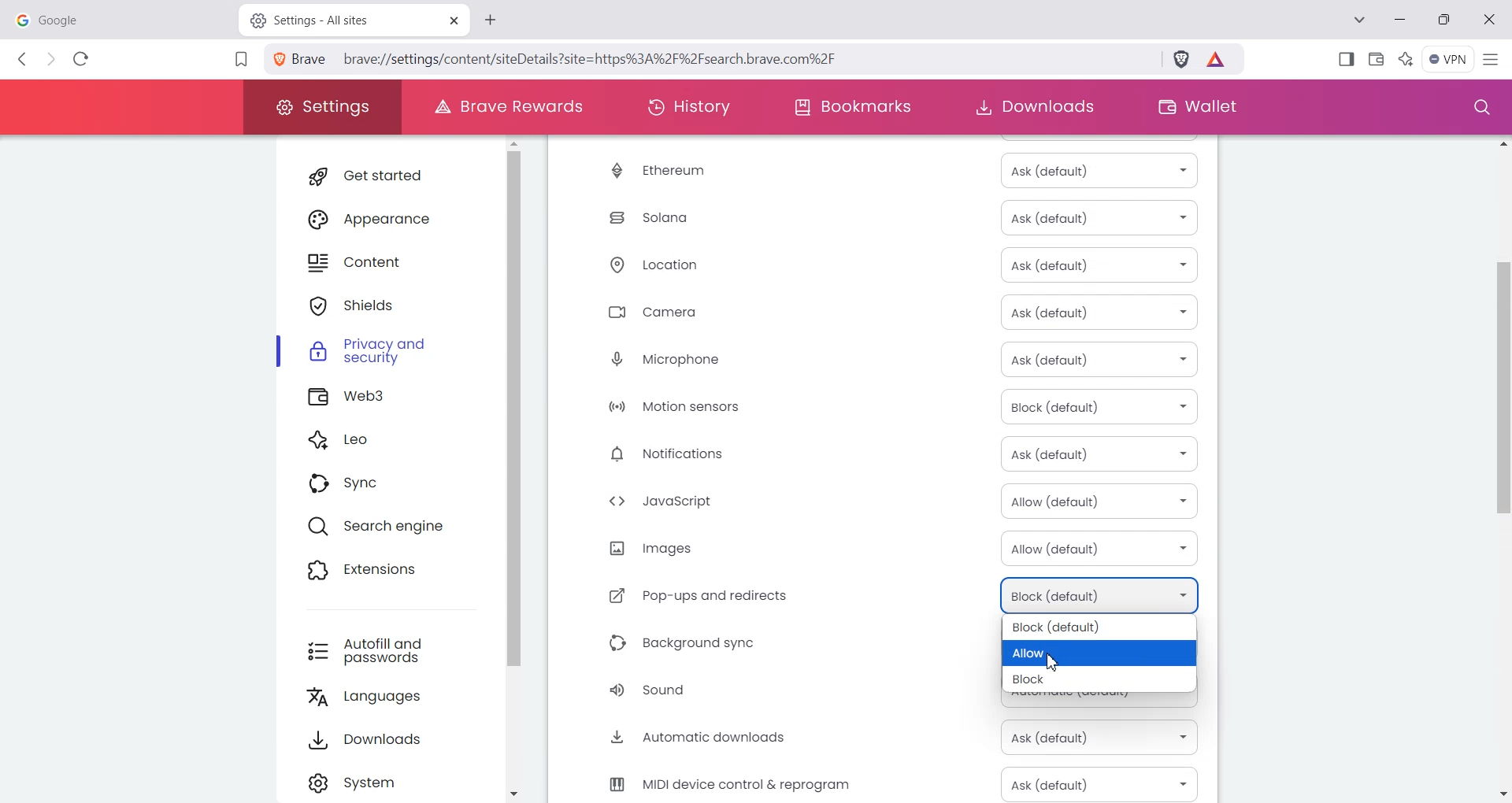 This screenshot has height=803, width=1512. What do you see at coordinates (886, 549) in the screenshot?
I see `Image Allow (Default)` at bounding box center [886, 549].